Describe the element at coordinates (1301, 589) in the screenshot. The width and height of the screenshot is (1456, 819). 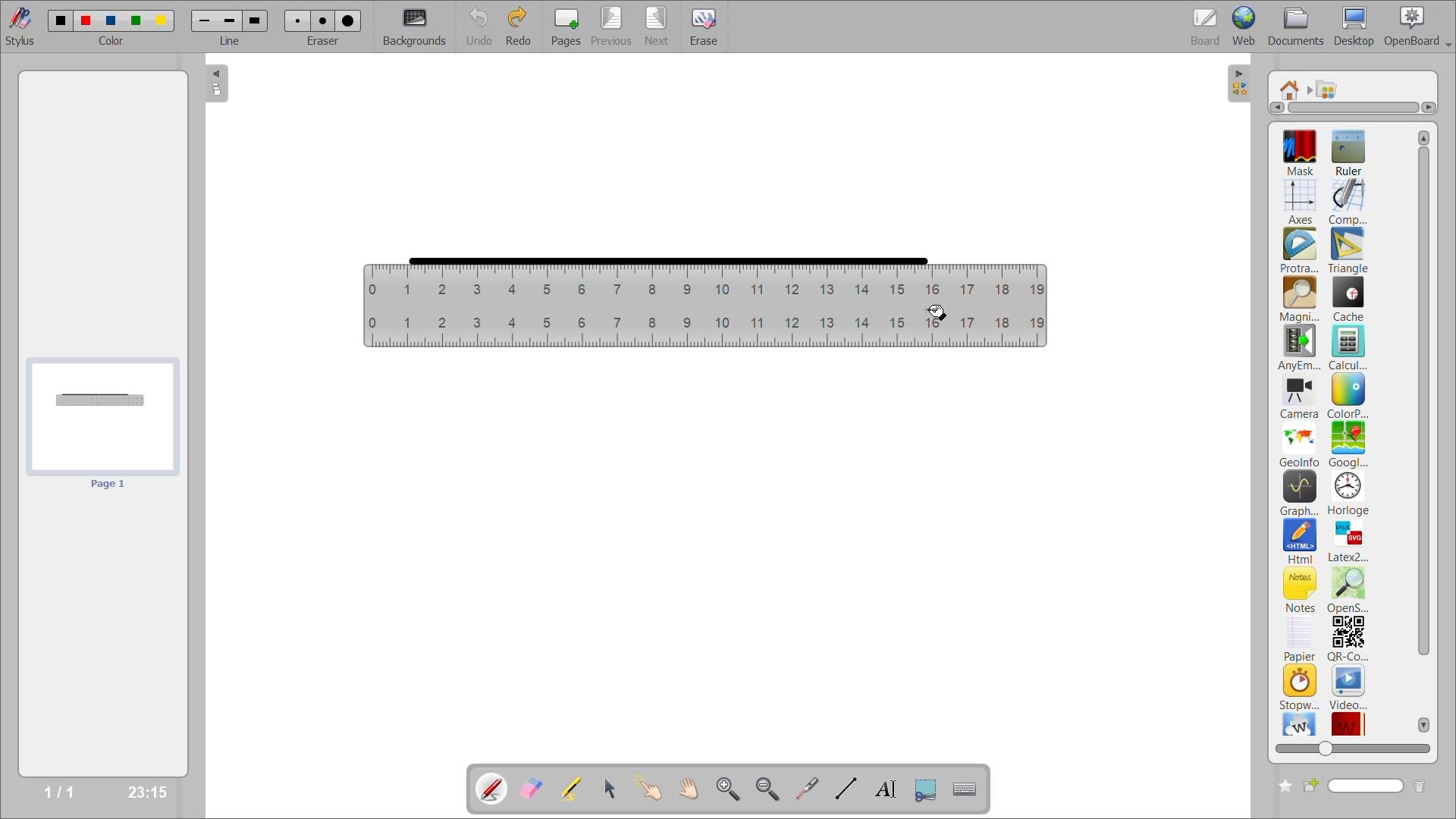
I see `notes` at that location.